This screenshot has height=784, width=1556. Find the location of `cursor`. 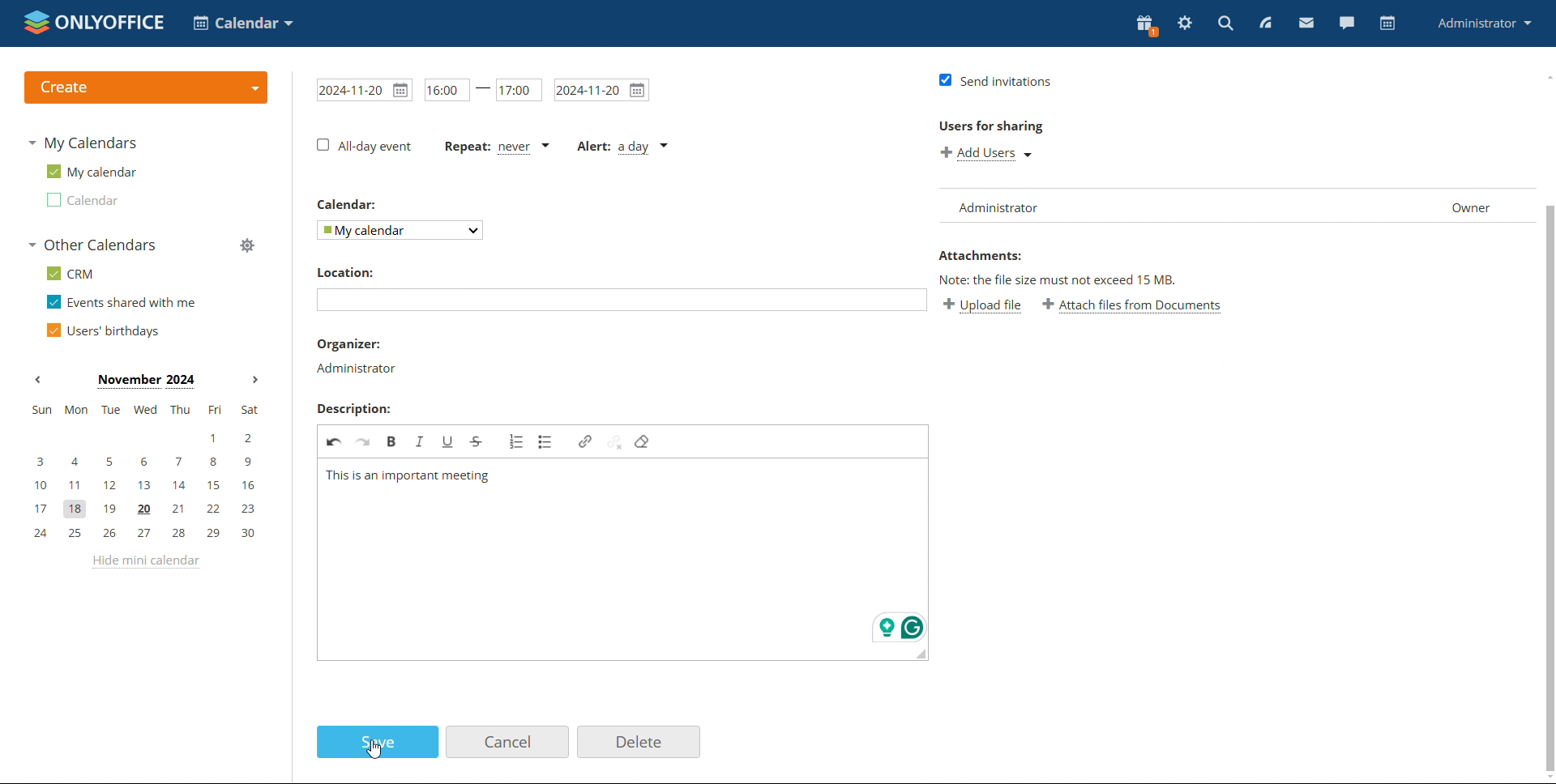

cursor is located at coordinates (374, 749).